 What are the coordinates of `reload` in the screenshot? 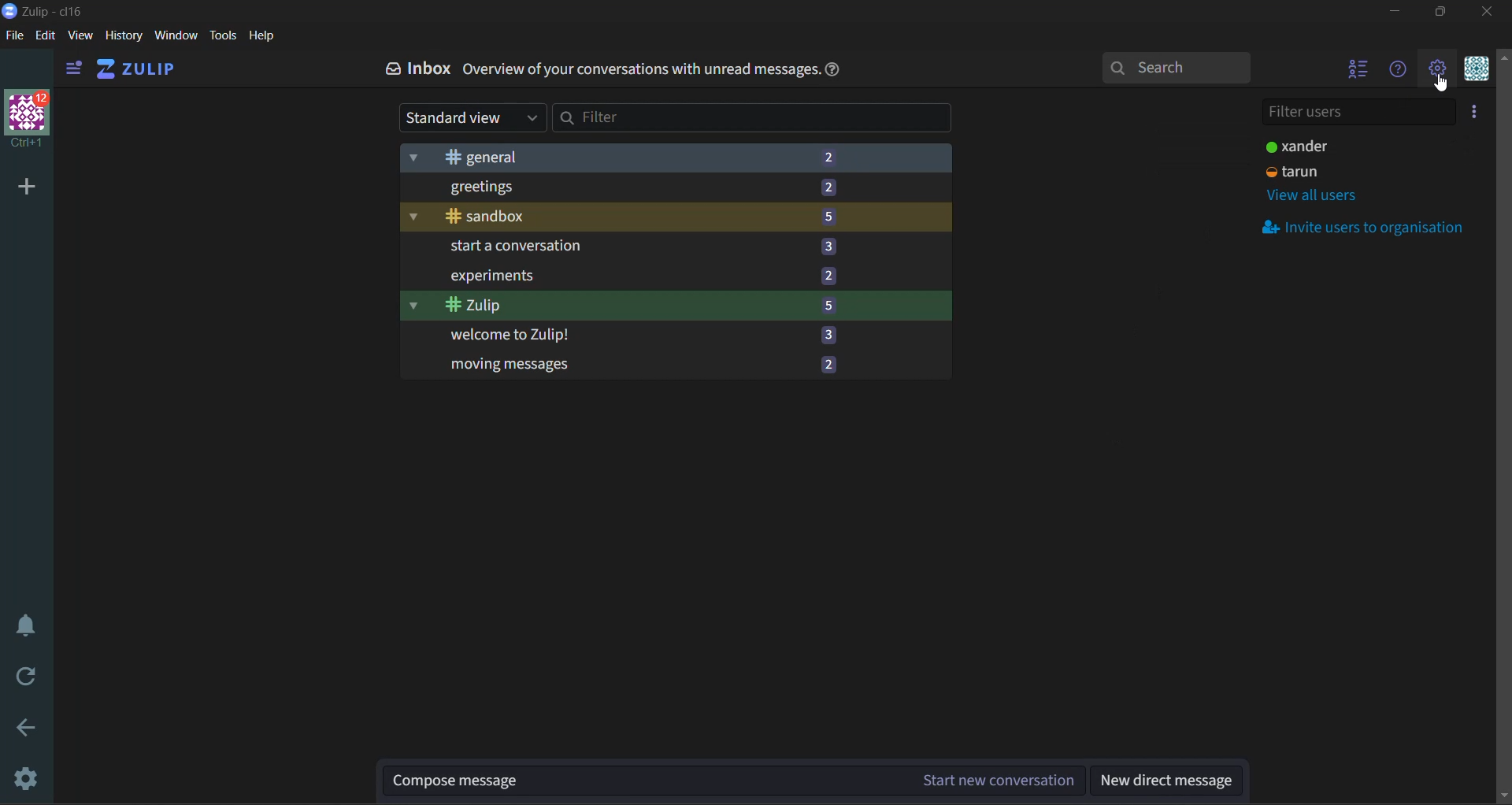 It's located at (20, 678).